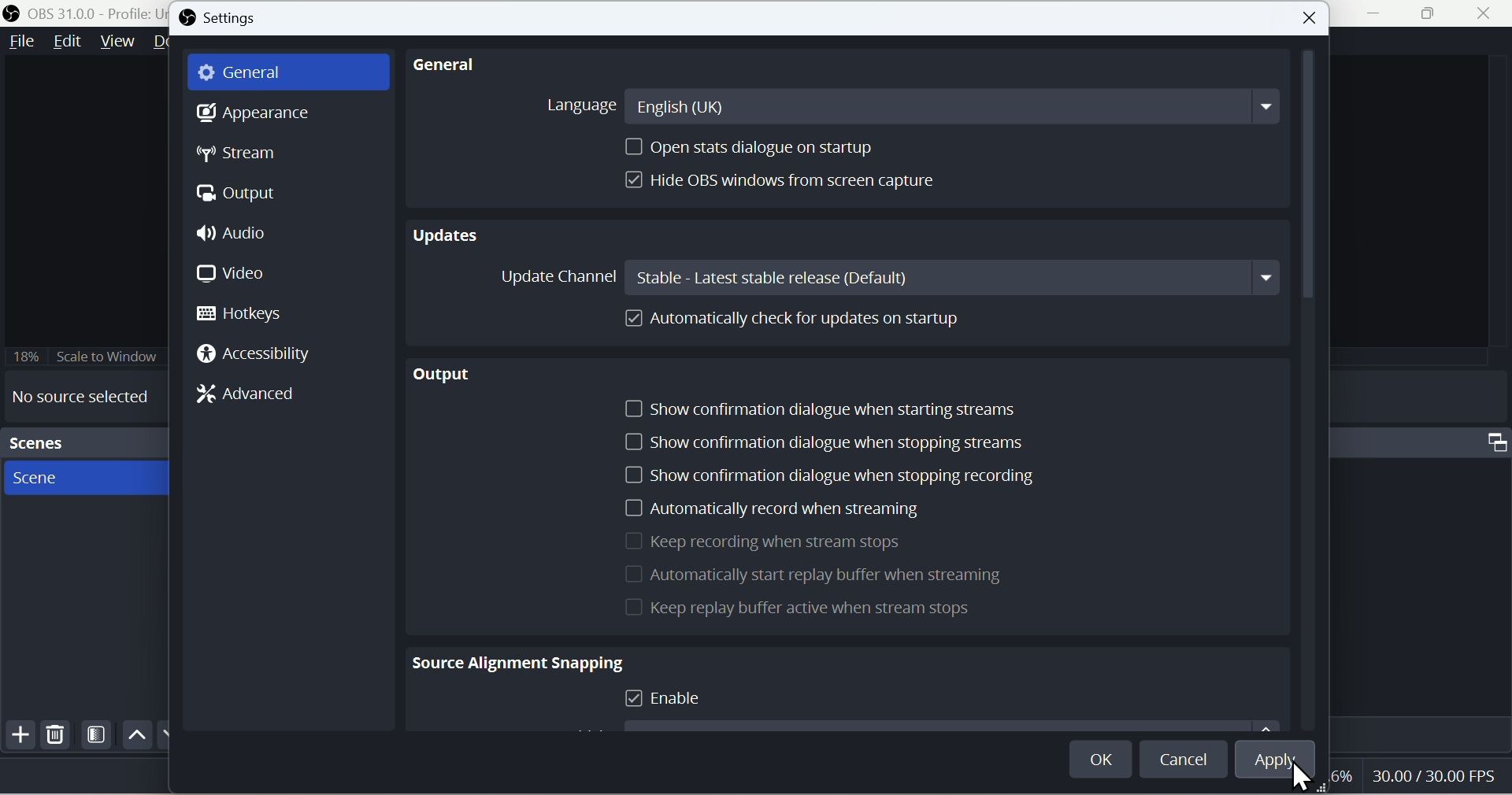 The image size is (1512, 795). Describe the element at coordinates (66, 46) in the screenshot. I see `Edit` at that location.